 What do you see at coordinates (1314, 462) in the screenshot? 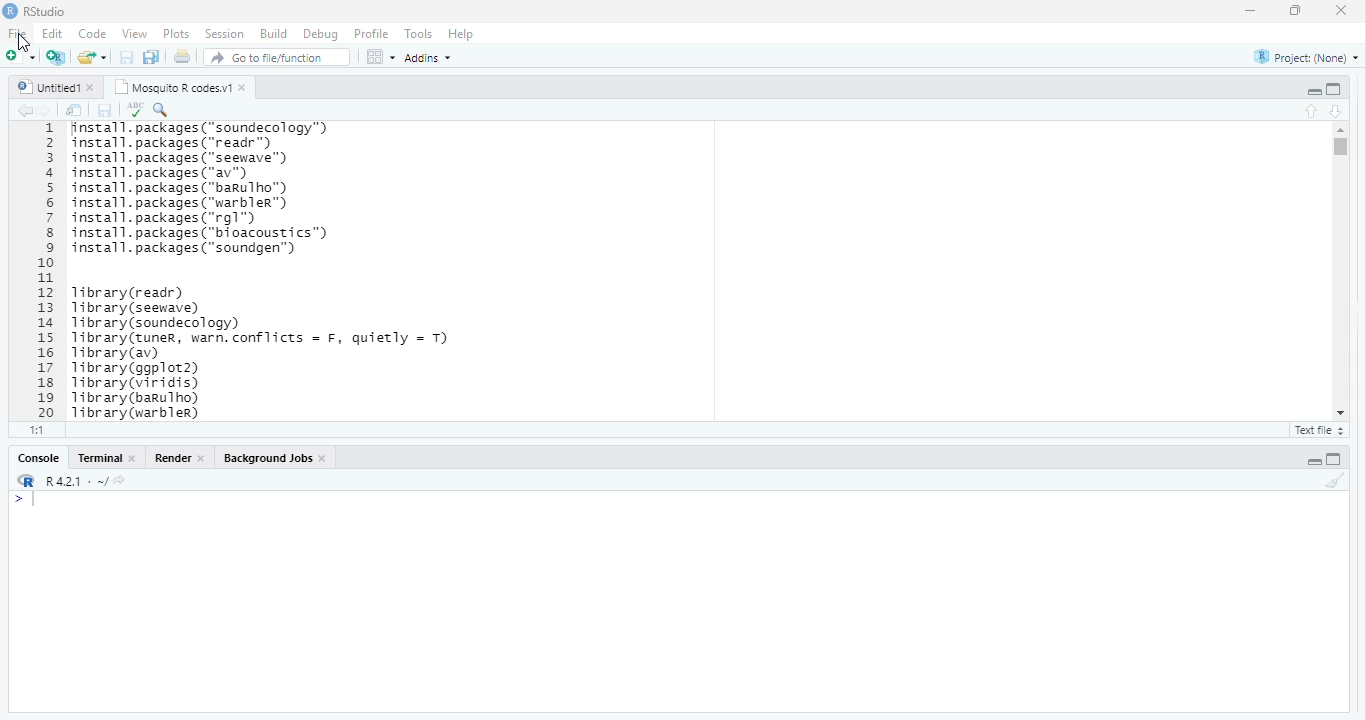
I see `Collapse` at bounding box center [1314, 462].